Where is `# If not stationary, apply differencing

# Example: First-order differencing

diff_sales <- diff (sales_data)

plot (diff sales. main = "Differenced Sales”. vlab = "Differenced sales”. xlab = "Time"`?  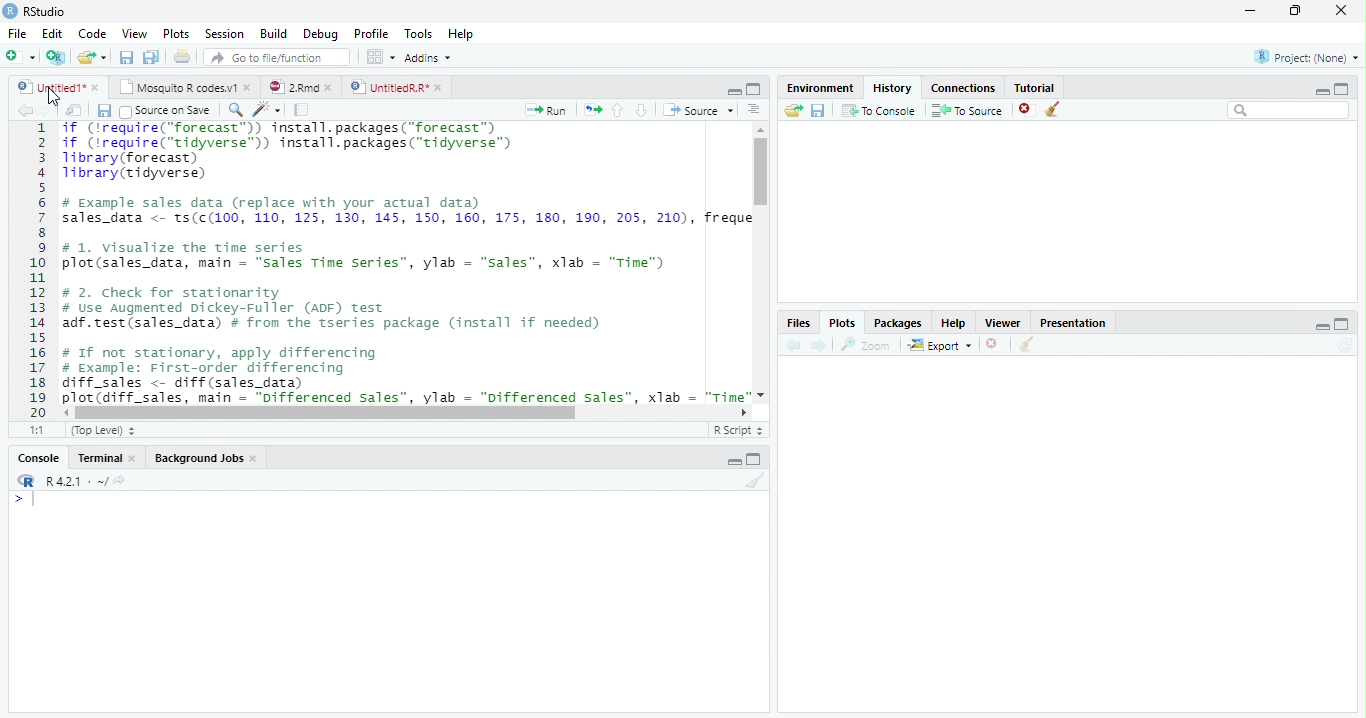
# If not stationary, apply differencing

# Example: First-order differencing

diff_sales <- diff (sales_data)

plot (diff sales. main = "Differenced Sales”. vlab = "Differenced sales”. xlab = "Time" is located at coordinates (405, 375).